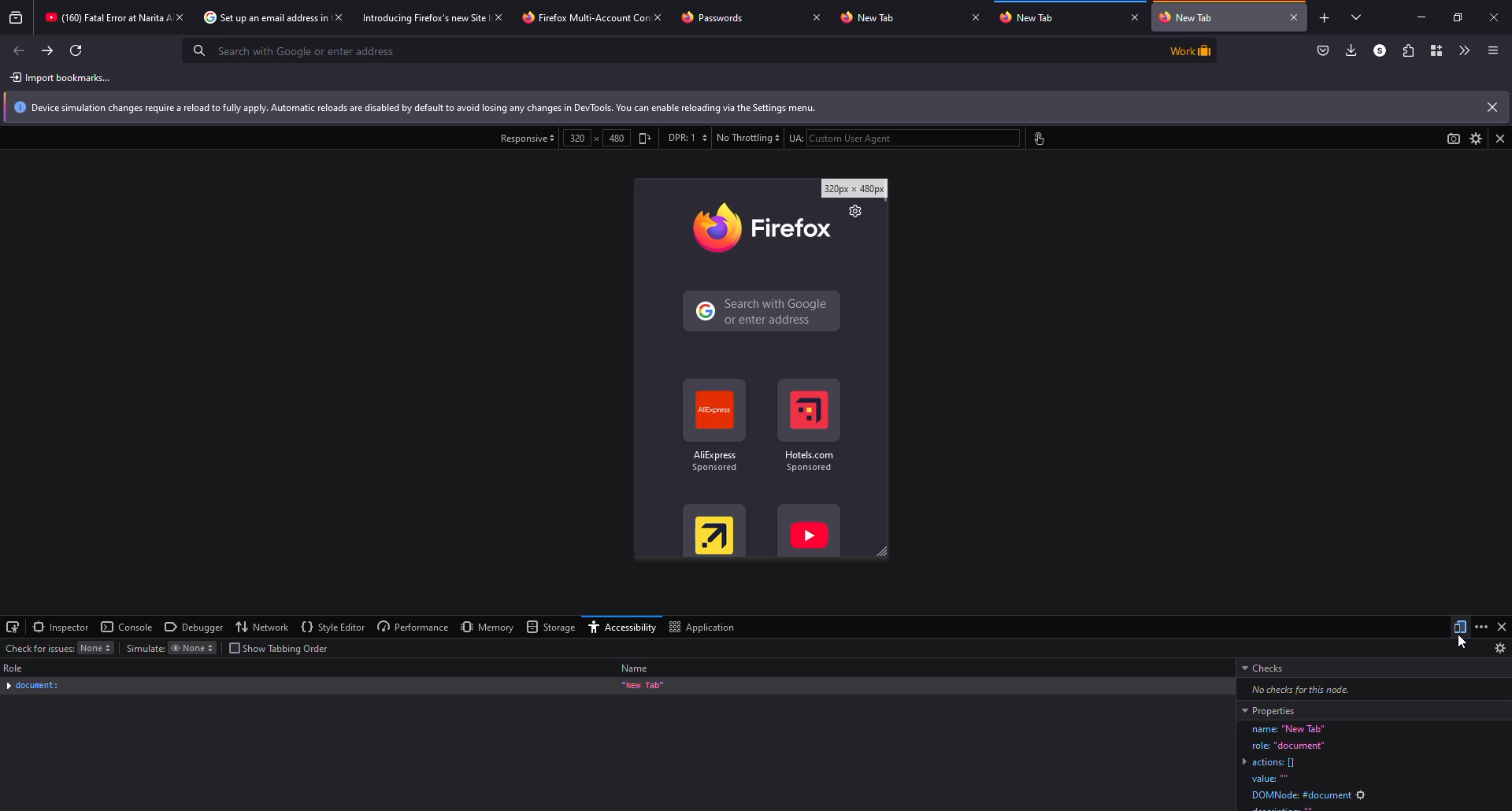  What do you see at coordinates (38, 647) in the screenshot?
I see `check for issues` at bounding box center [38, 647].